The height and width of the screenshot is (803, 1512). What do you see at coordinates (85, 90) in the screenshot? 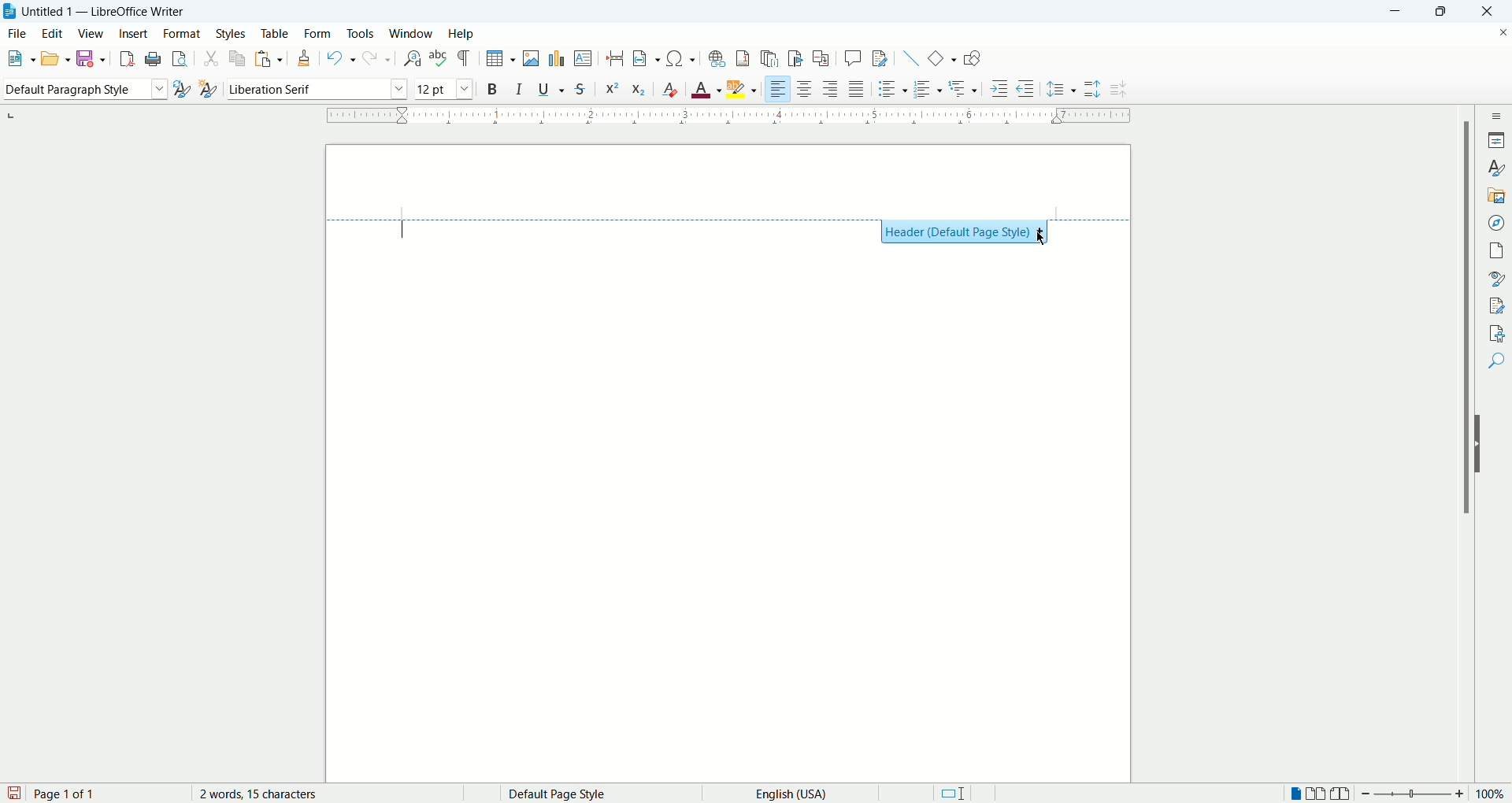
I see `paragraph style` at bounding box center [85, 90].